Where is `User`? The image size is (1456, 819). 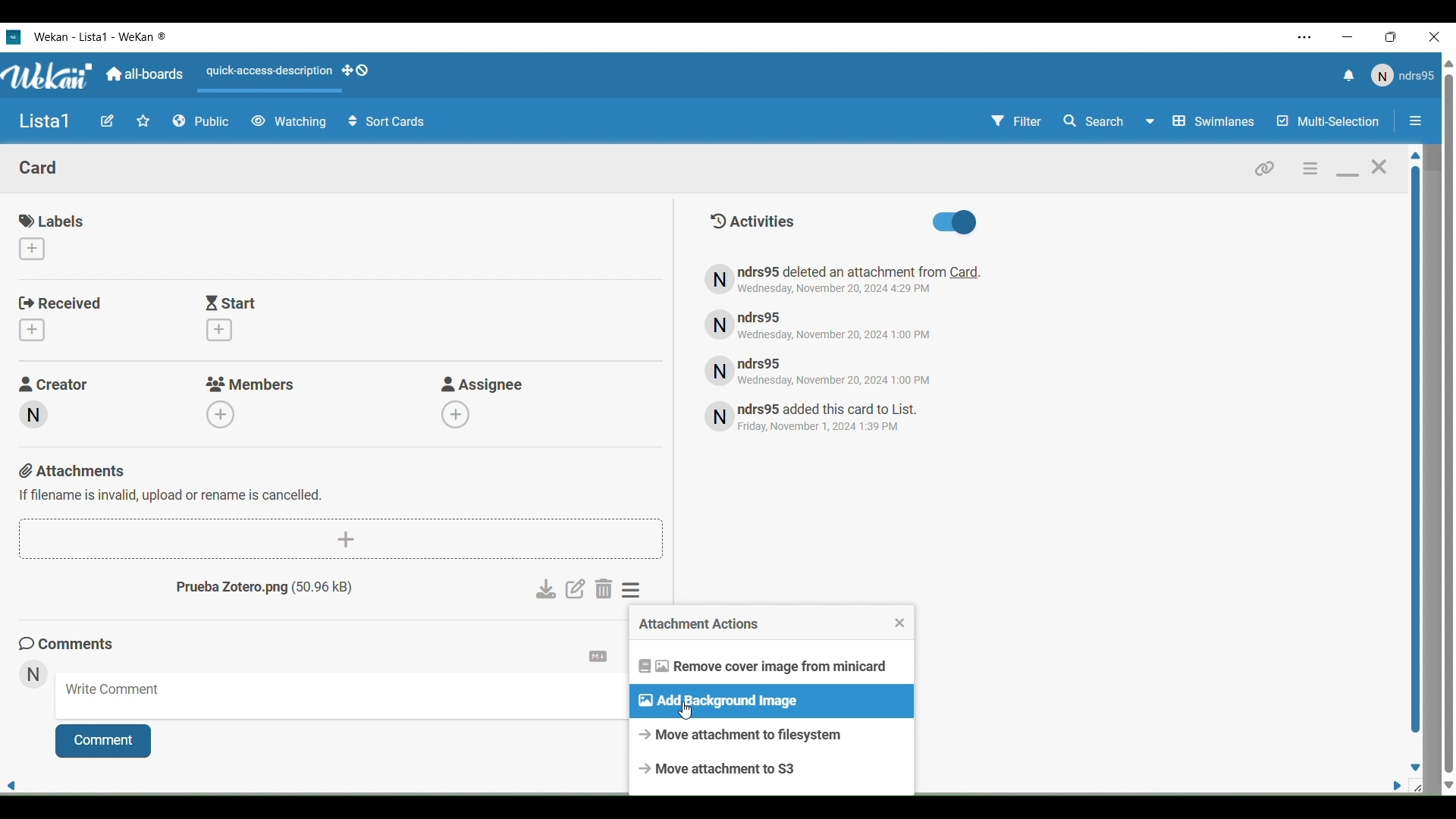 User is located at coordinates (33, 675).